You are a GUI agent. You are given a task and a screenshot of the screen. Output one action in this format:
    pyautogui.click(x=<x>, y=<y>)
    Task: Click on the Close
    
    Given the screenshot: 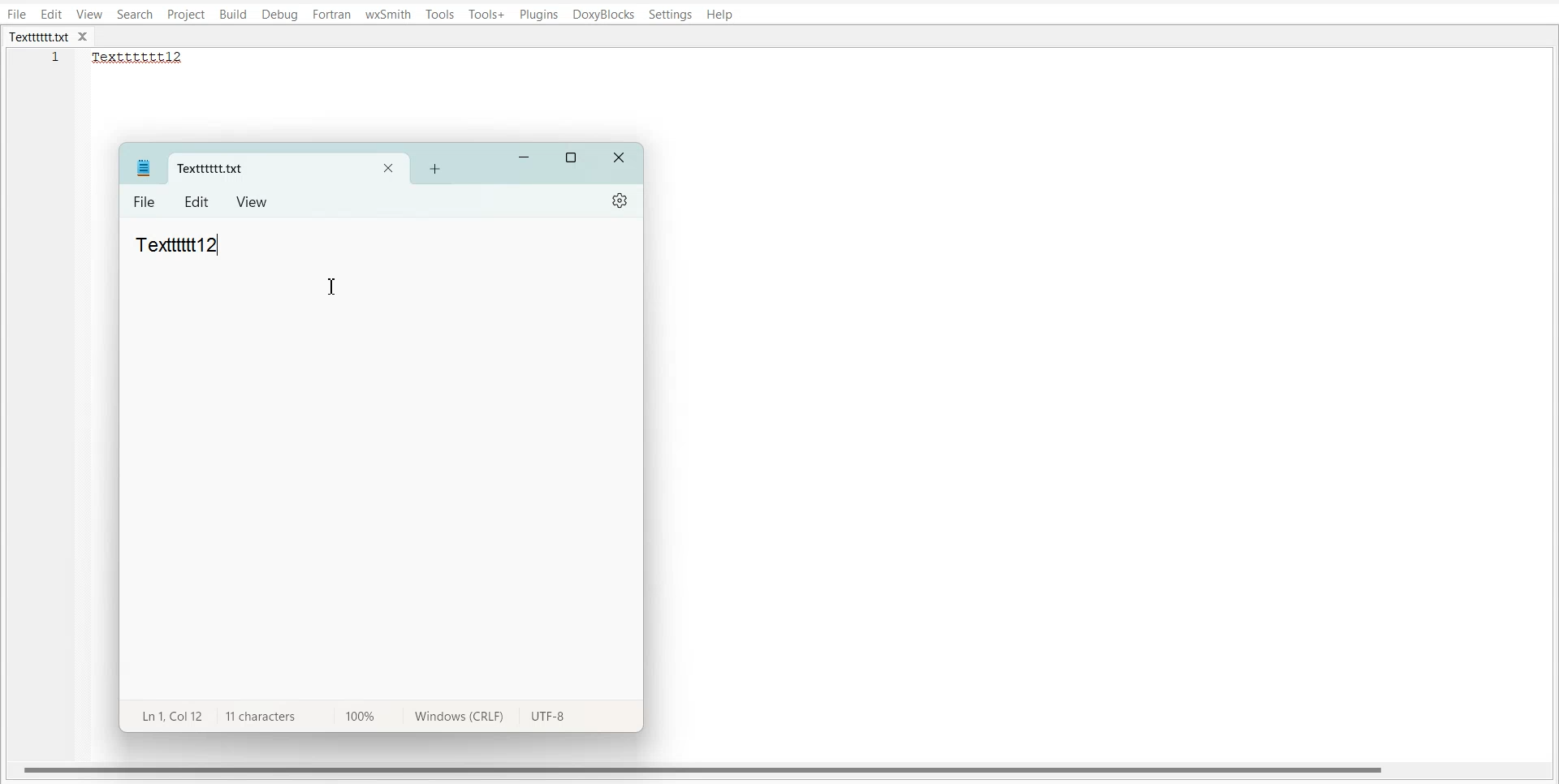 What is the action you would take?
    pyautogui.click(x=388, y=170)
    